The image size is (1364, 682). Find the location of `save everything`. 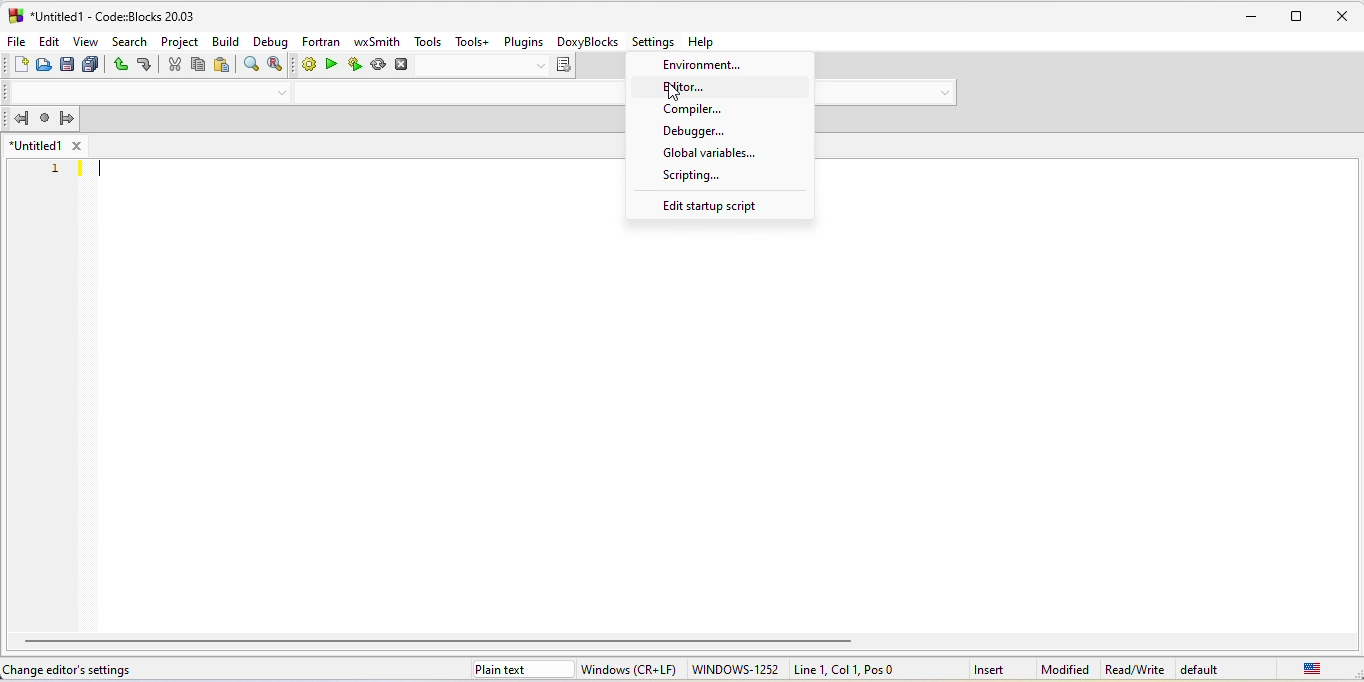

save everything is located at coordinates (91, 65).